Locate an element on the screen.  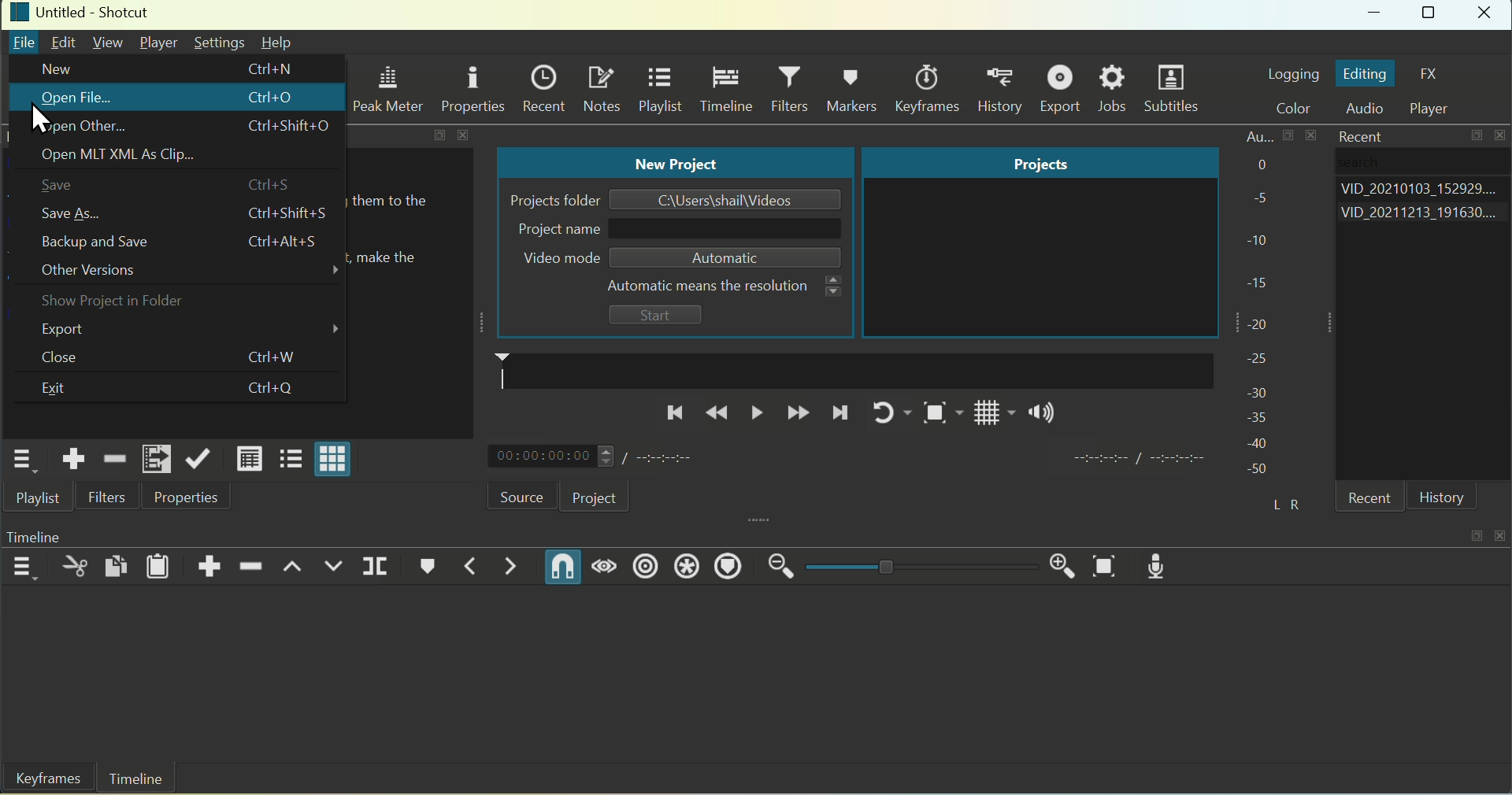
Project name is located at coordinates (554, 230).